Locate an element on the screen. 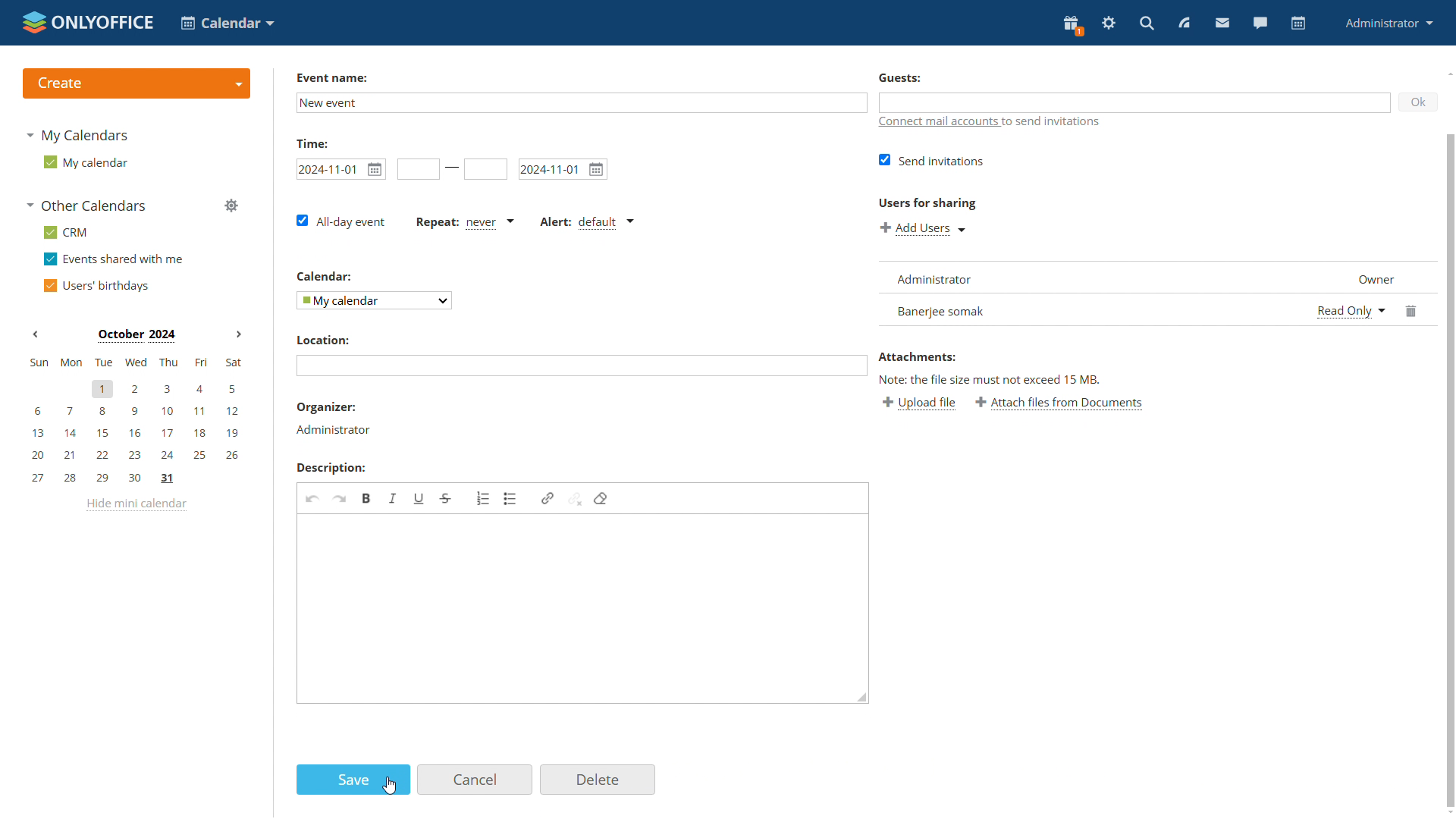 The width and height of the screenshot is (1456, 819). mini calendar is located at coordinates (135, 421).